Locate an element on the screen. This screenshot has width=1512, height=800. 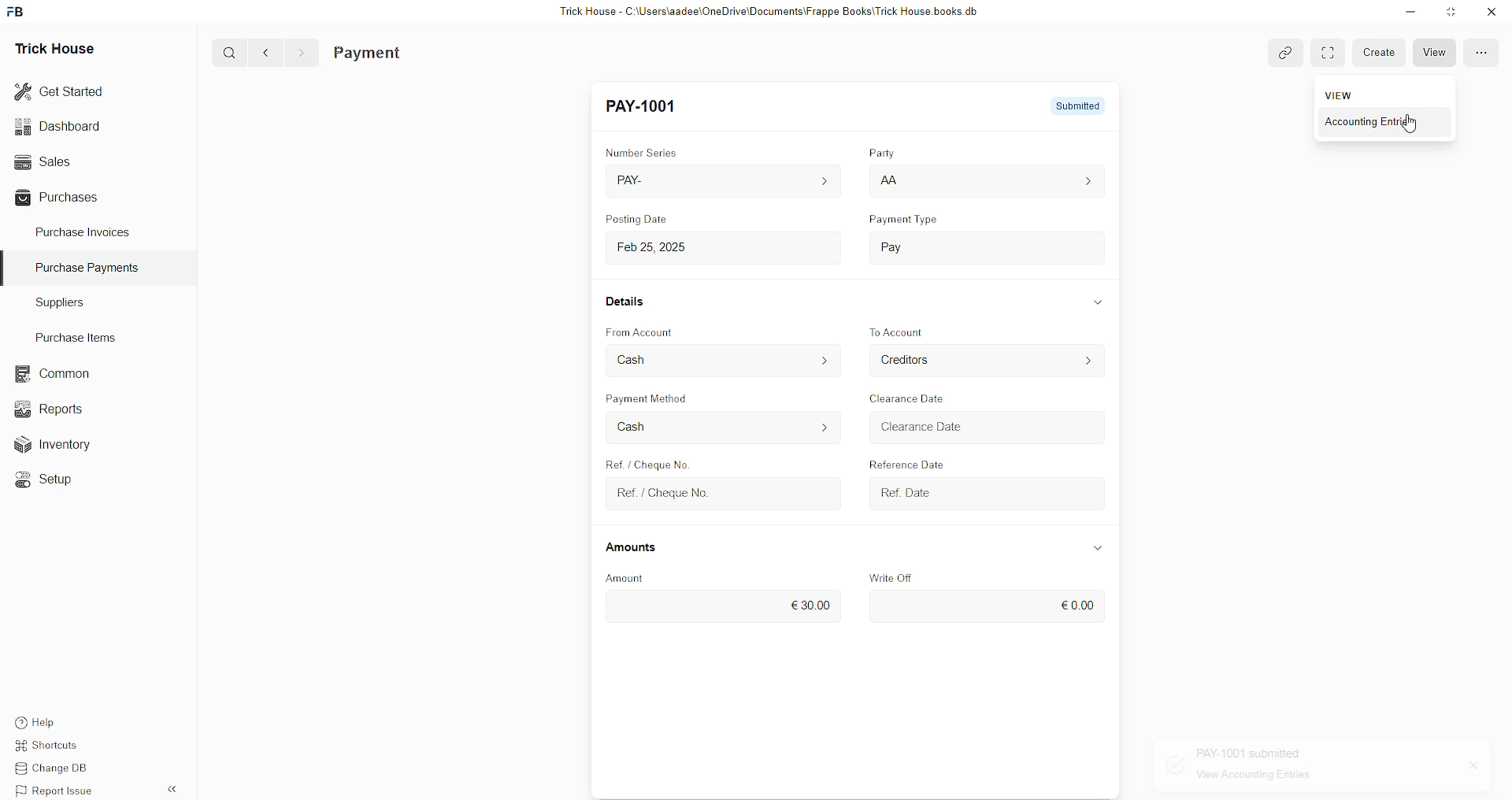
Payment Method is located at coordinates (683, 401).